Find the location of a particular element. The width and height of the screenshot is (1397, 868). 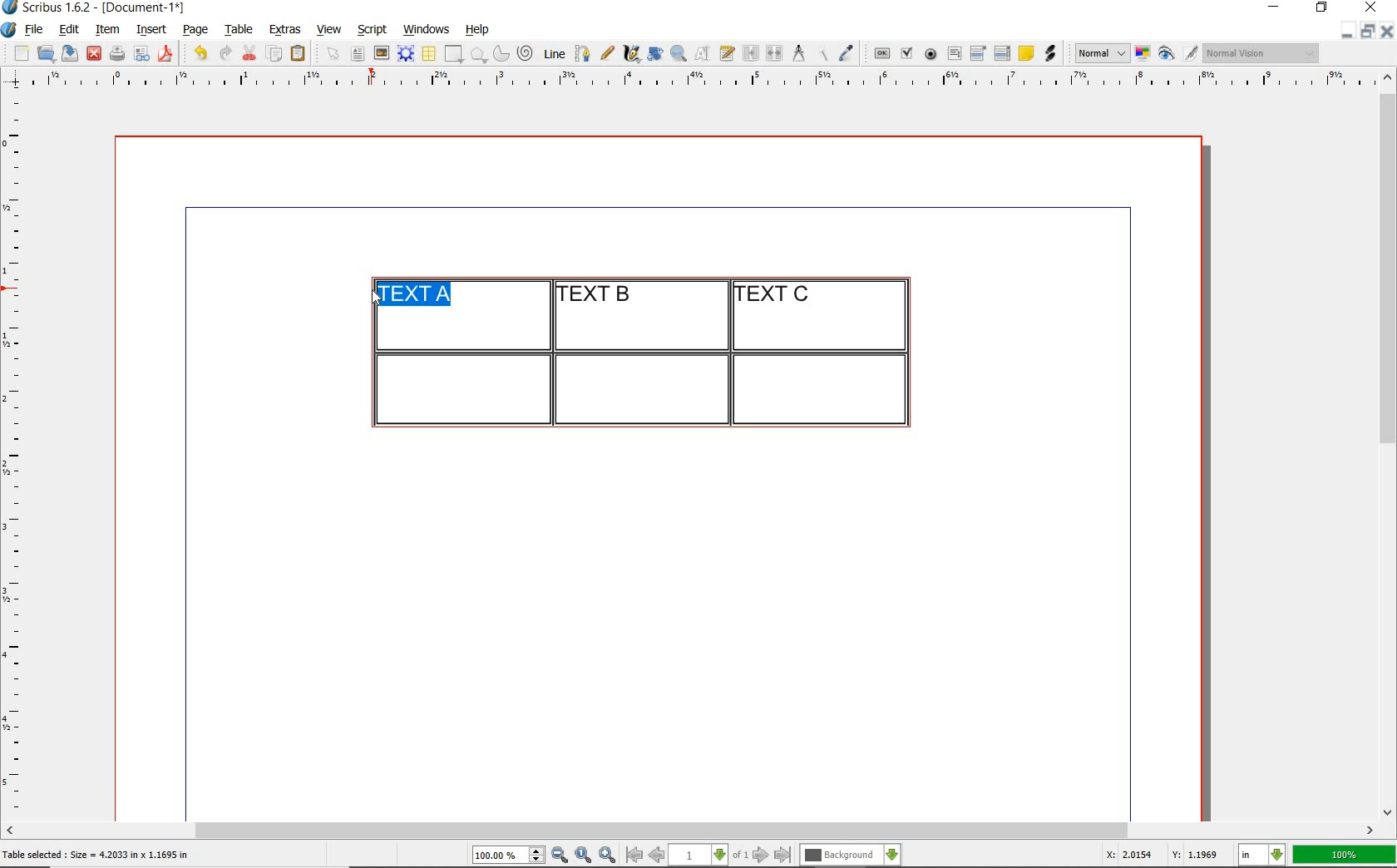

table is located at coordinates (430, 54).